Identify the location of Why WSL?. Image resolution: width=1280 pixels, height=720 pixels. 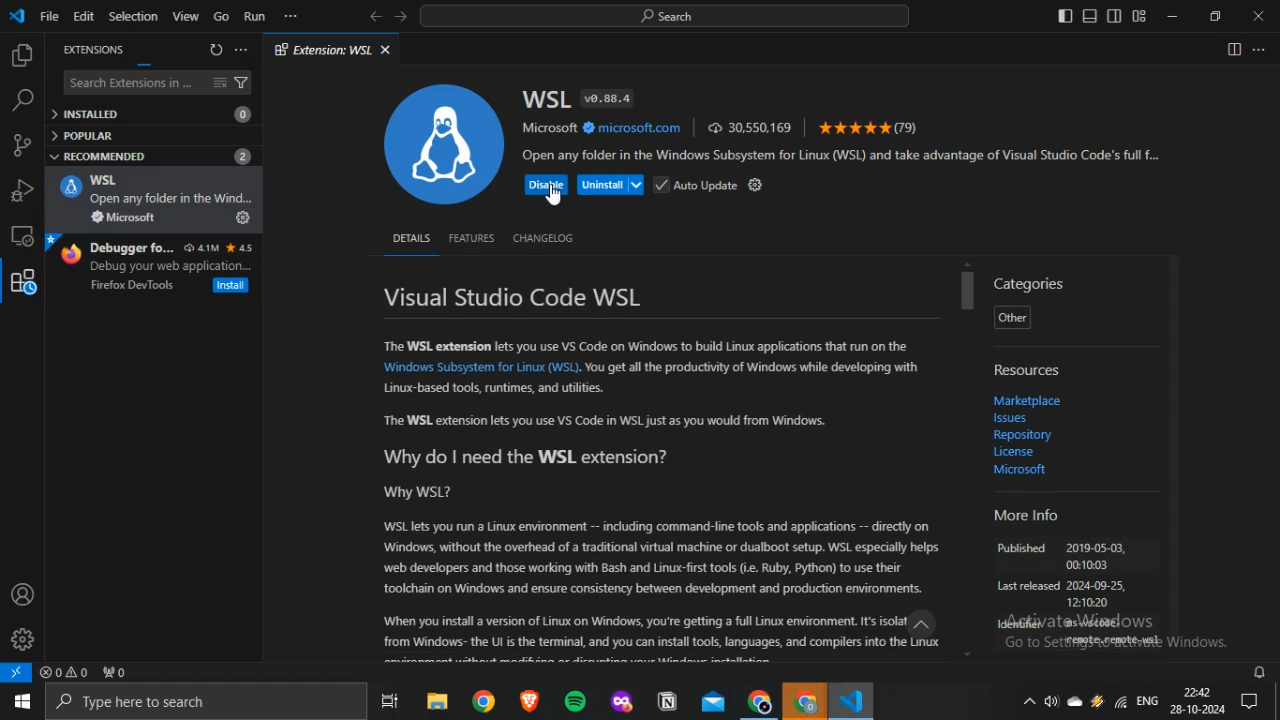
(419, 495).